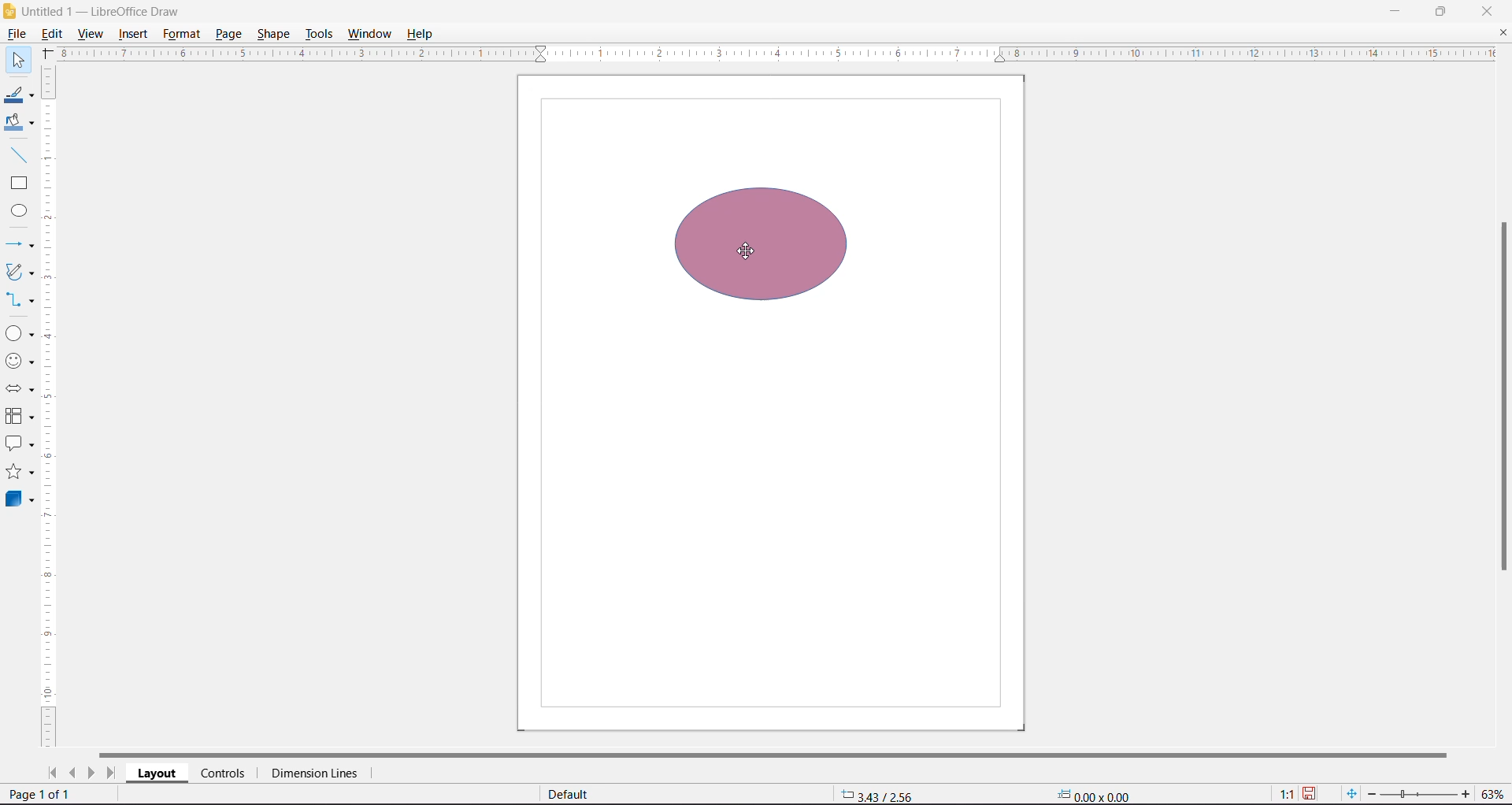 The width and height of the screenshot is (1512, 805). What do you see at coordinates (18, 154) in the screenshot?
I see `Insert Line` at bounding box center [18, 154].